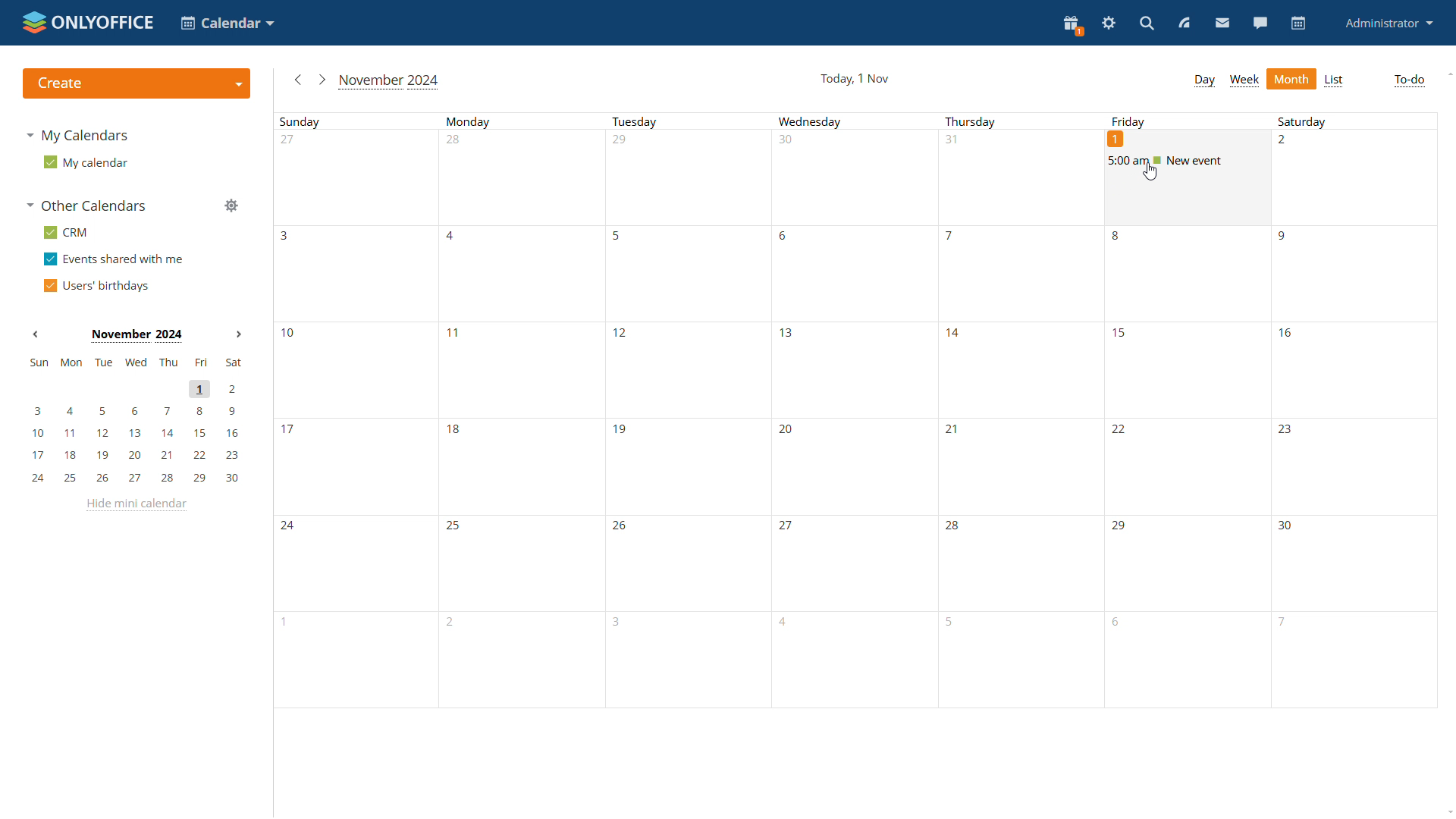 This screenshot has height=819, width=1456. What do you see at coordinates (114, 260) in the screenshot?
I see `events shared with me` at bounding box center [114, 260].